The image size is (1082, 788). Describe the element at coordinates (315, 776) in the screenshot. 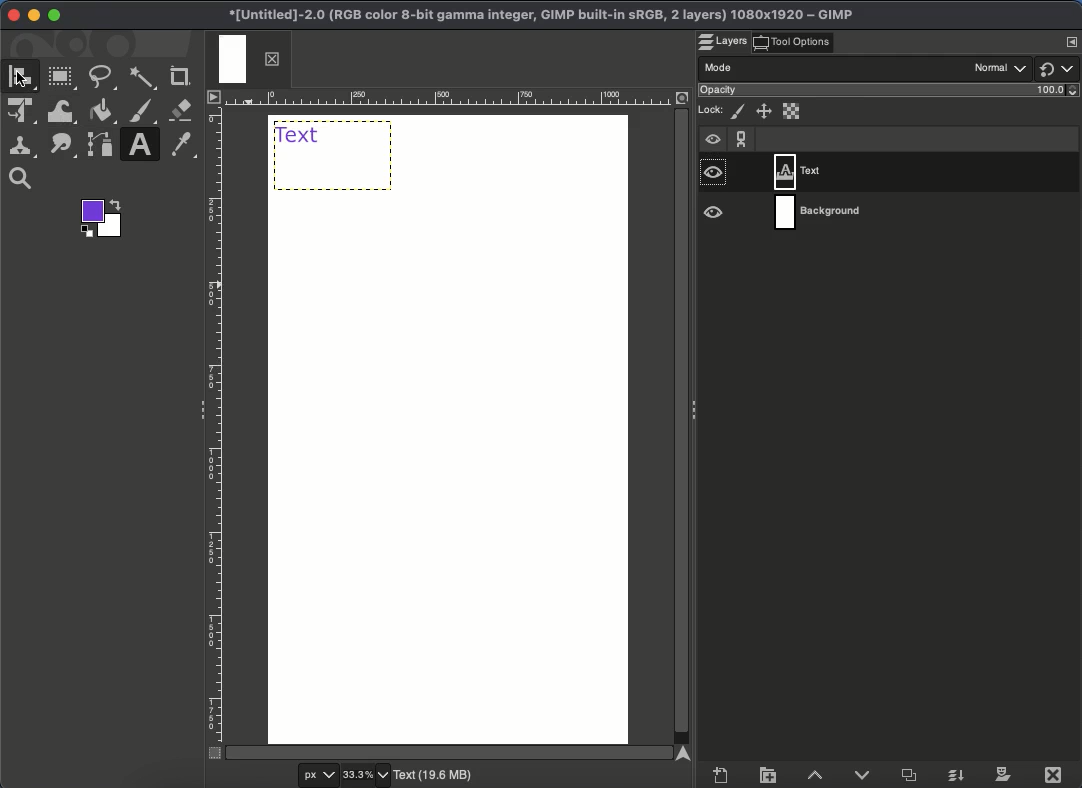

I see `px` at that location.